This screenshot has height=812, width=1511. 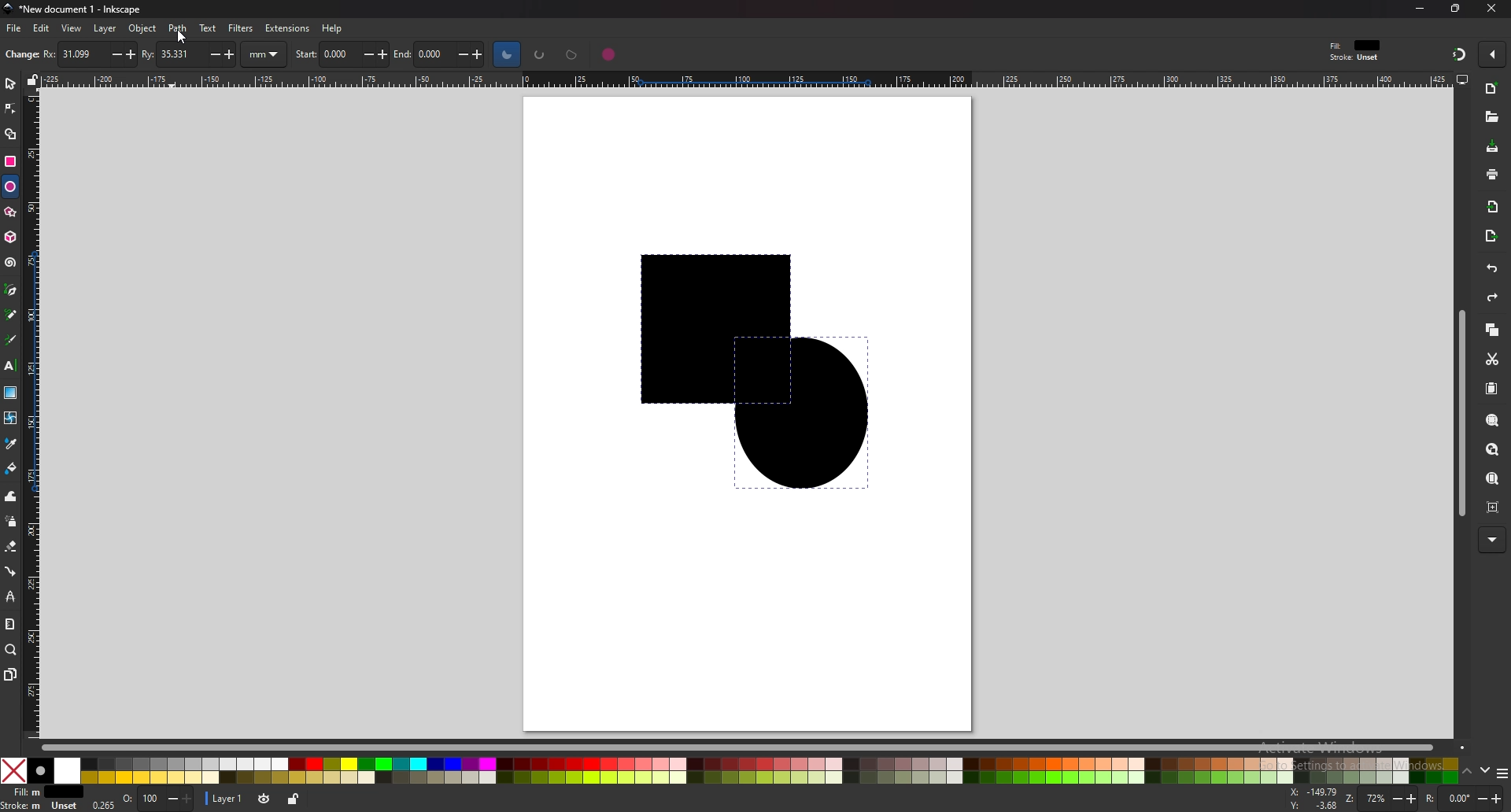 What do you see at coordinates (10, 522) in the screenshot?
I see `spray` at bounding box center [10, 522].